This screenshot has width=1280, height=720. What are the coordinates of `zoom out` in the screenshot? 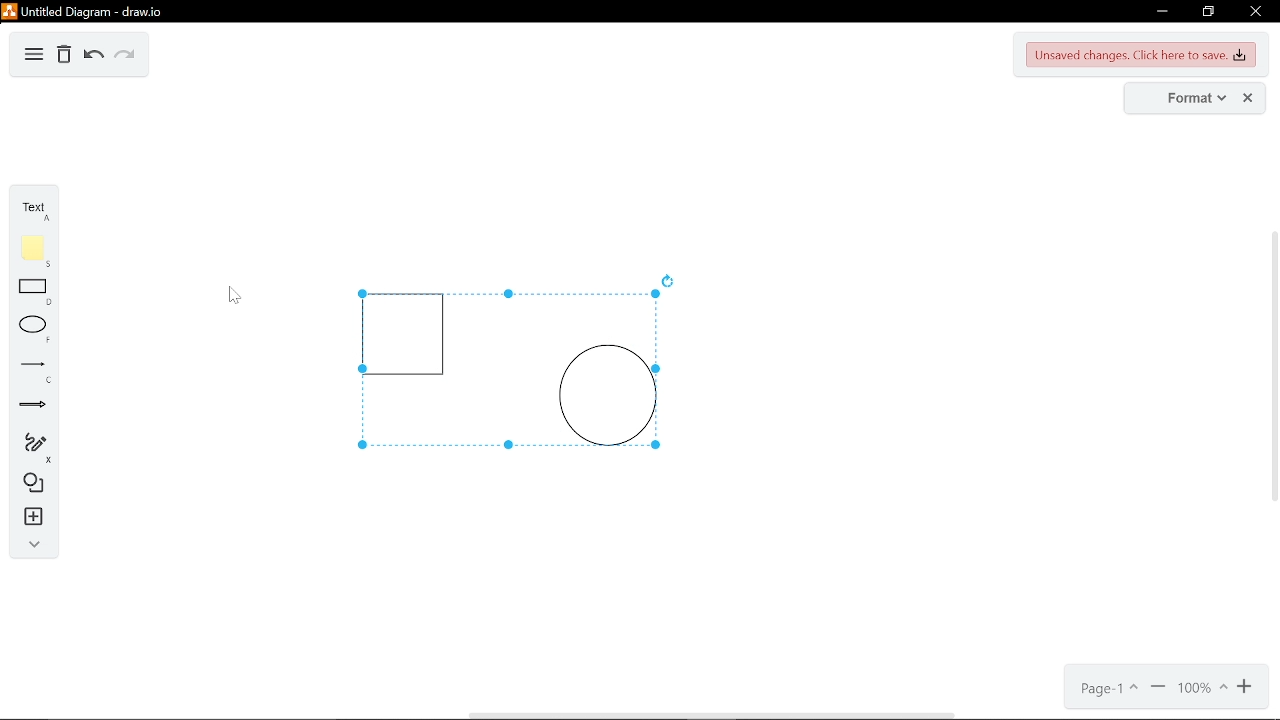 It's located at (1158, 689).